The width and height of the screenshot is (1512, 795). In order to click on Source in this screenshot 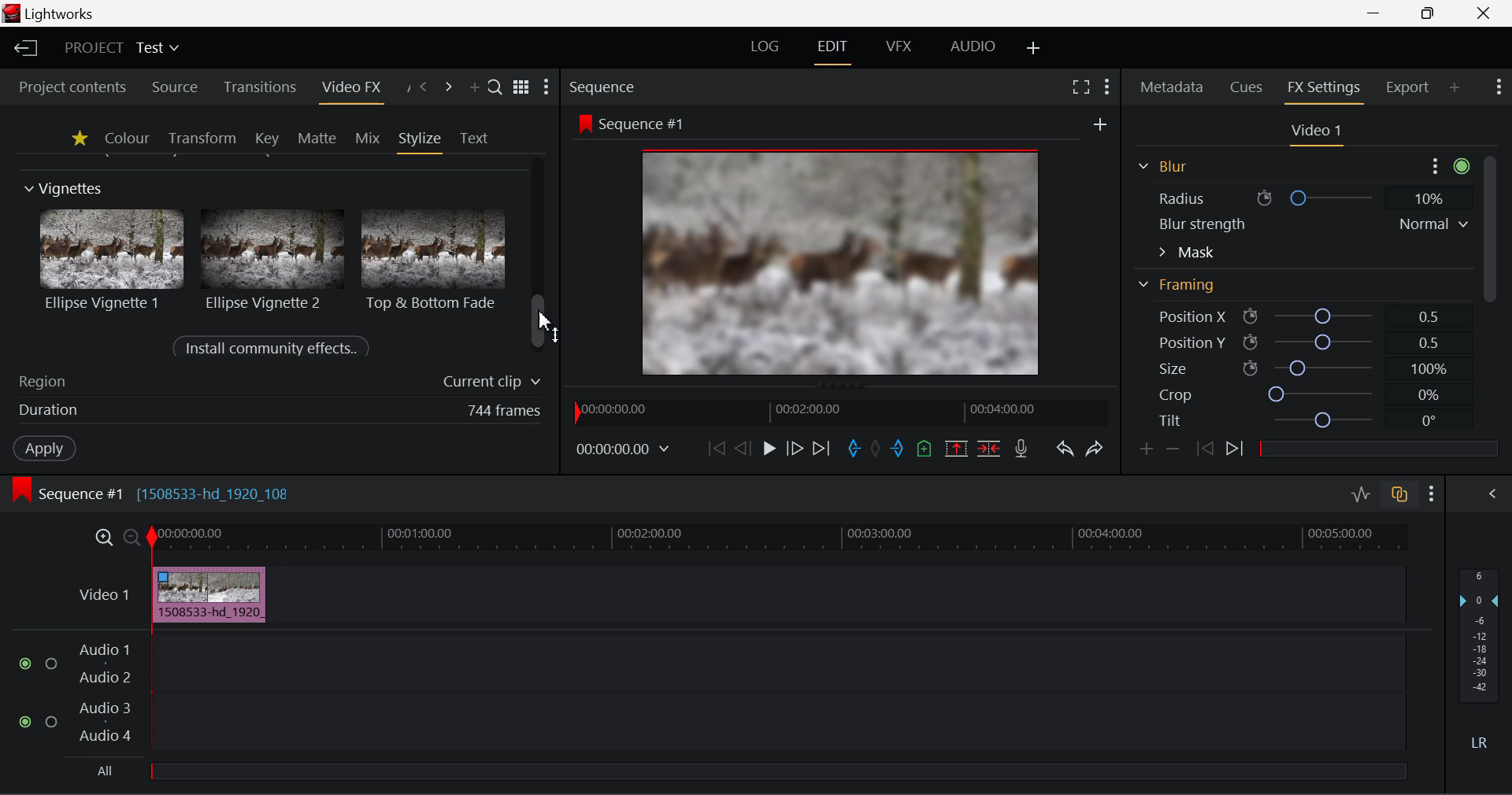, I will do `click(172, 86)`.